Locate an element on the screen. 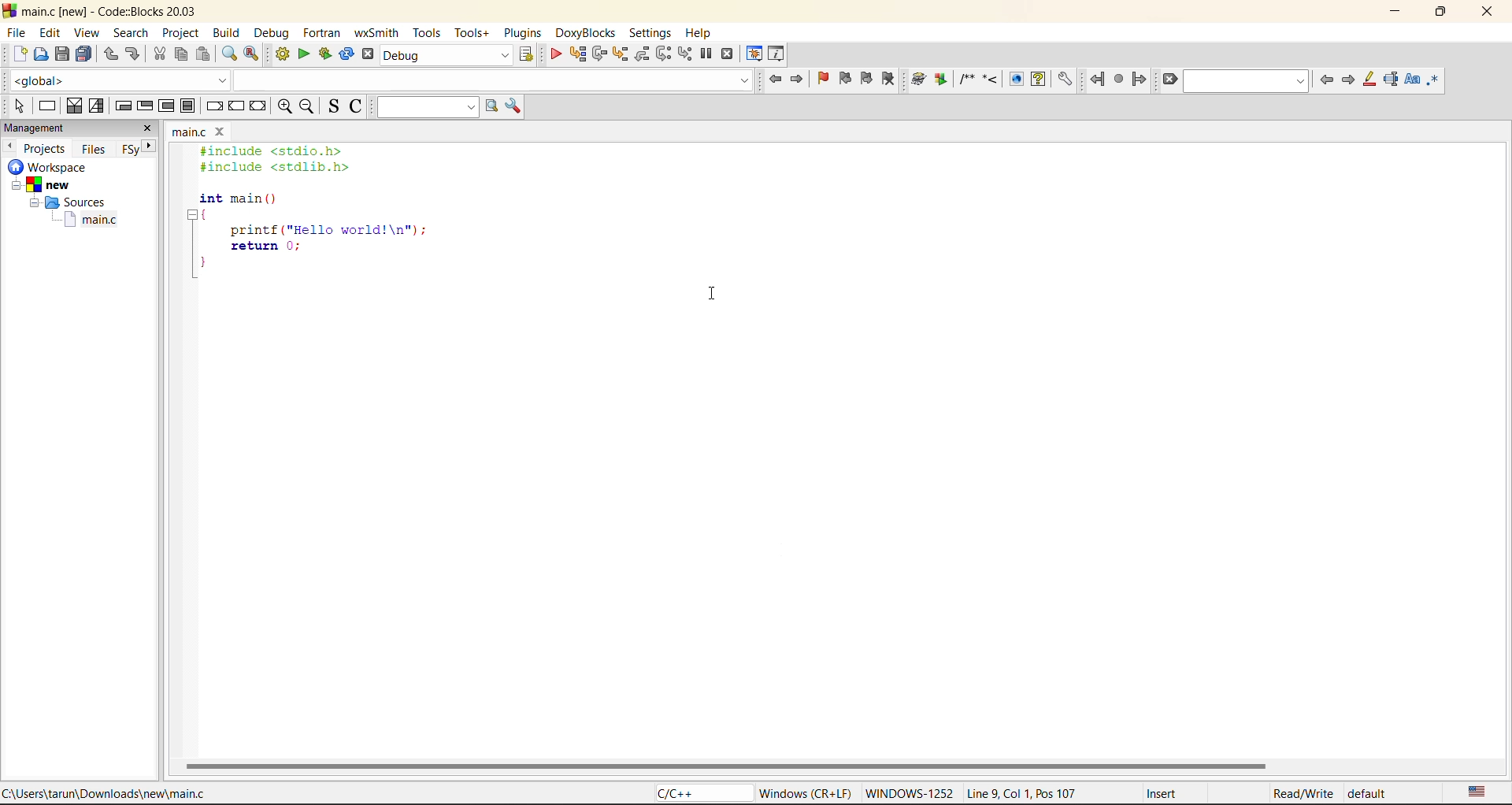 The height and width of the screenshot is (805, 1512). decision is located at coordinates (74, 106).